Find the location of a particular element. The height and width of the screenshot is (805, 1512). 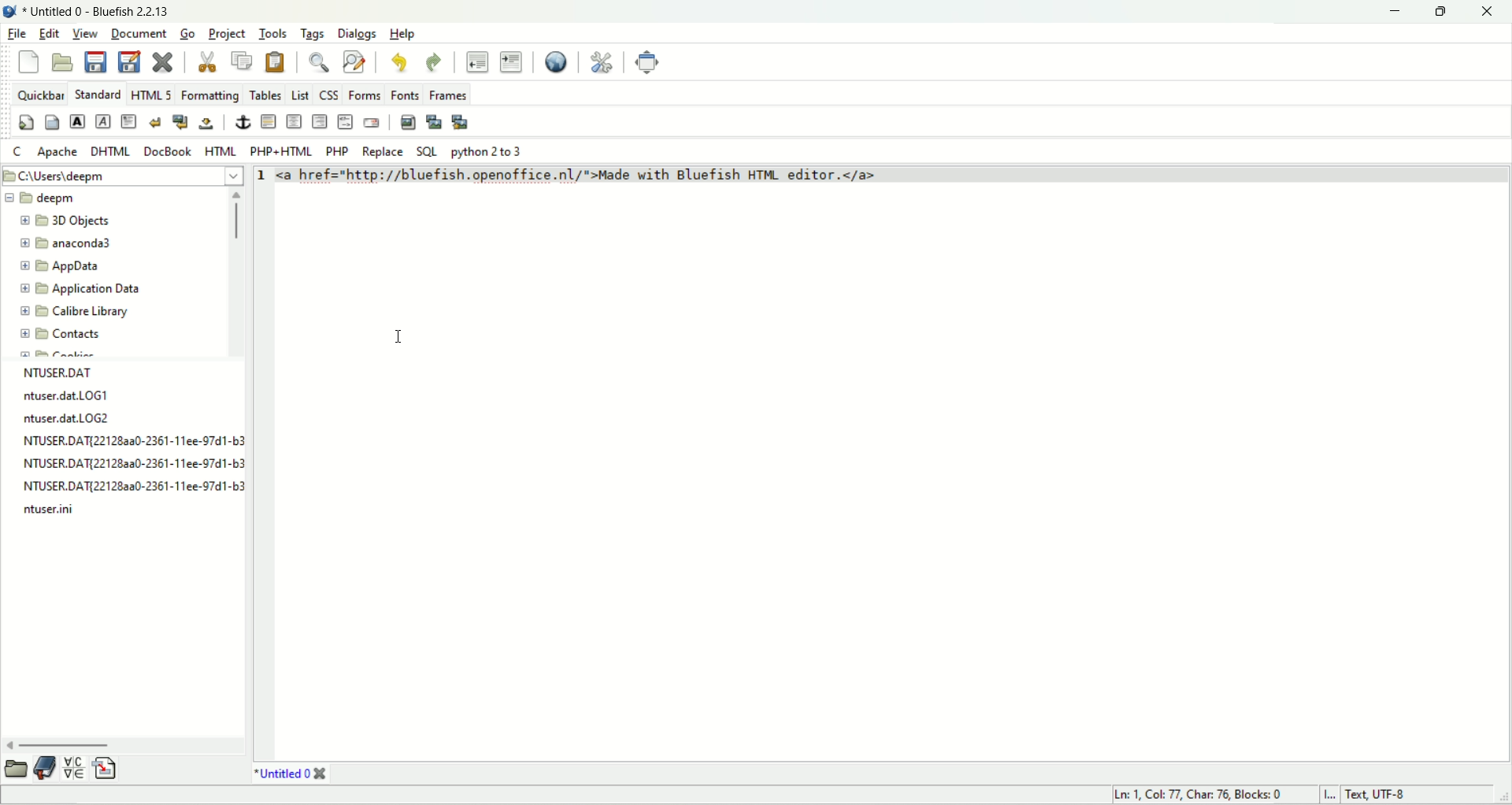

non-breaking space is located at coordinates (206, 124).